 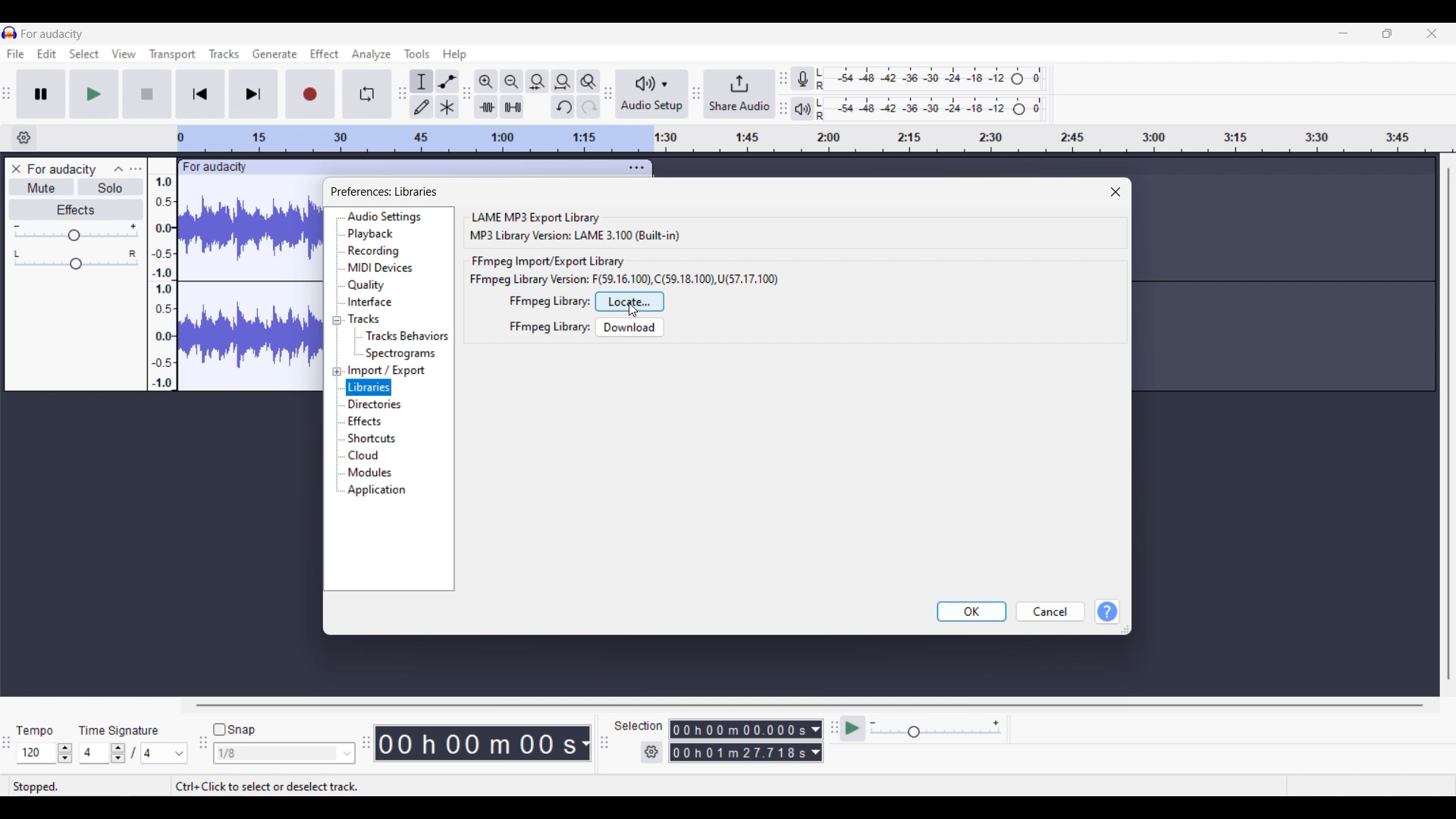 I want to click on Select menu, so click(x=84, y=53).